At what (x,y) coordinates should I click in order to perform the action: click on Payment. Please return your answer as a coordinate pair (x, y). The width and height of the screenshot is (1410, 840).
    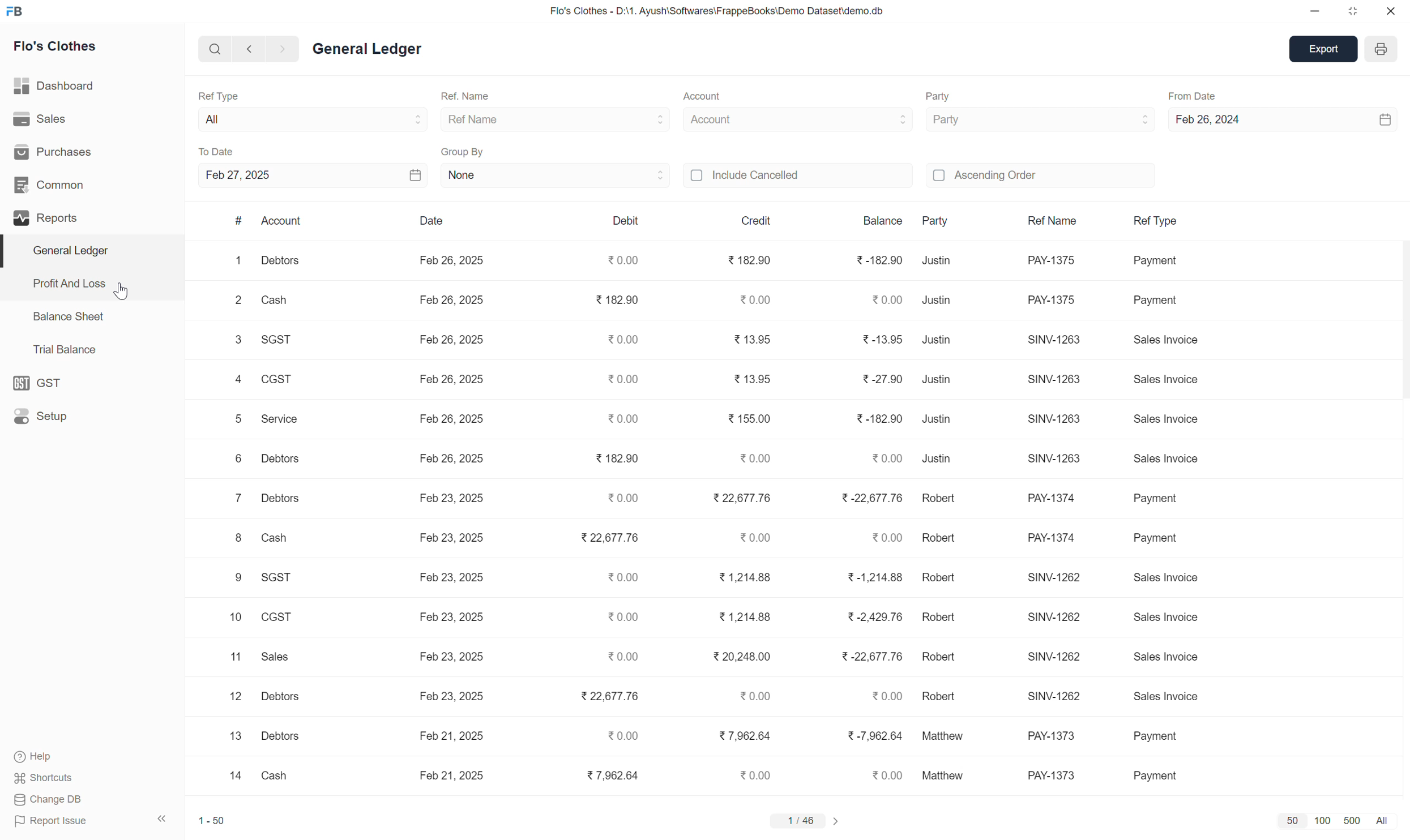
    Looking at the image, I should click on (1163, 302).